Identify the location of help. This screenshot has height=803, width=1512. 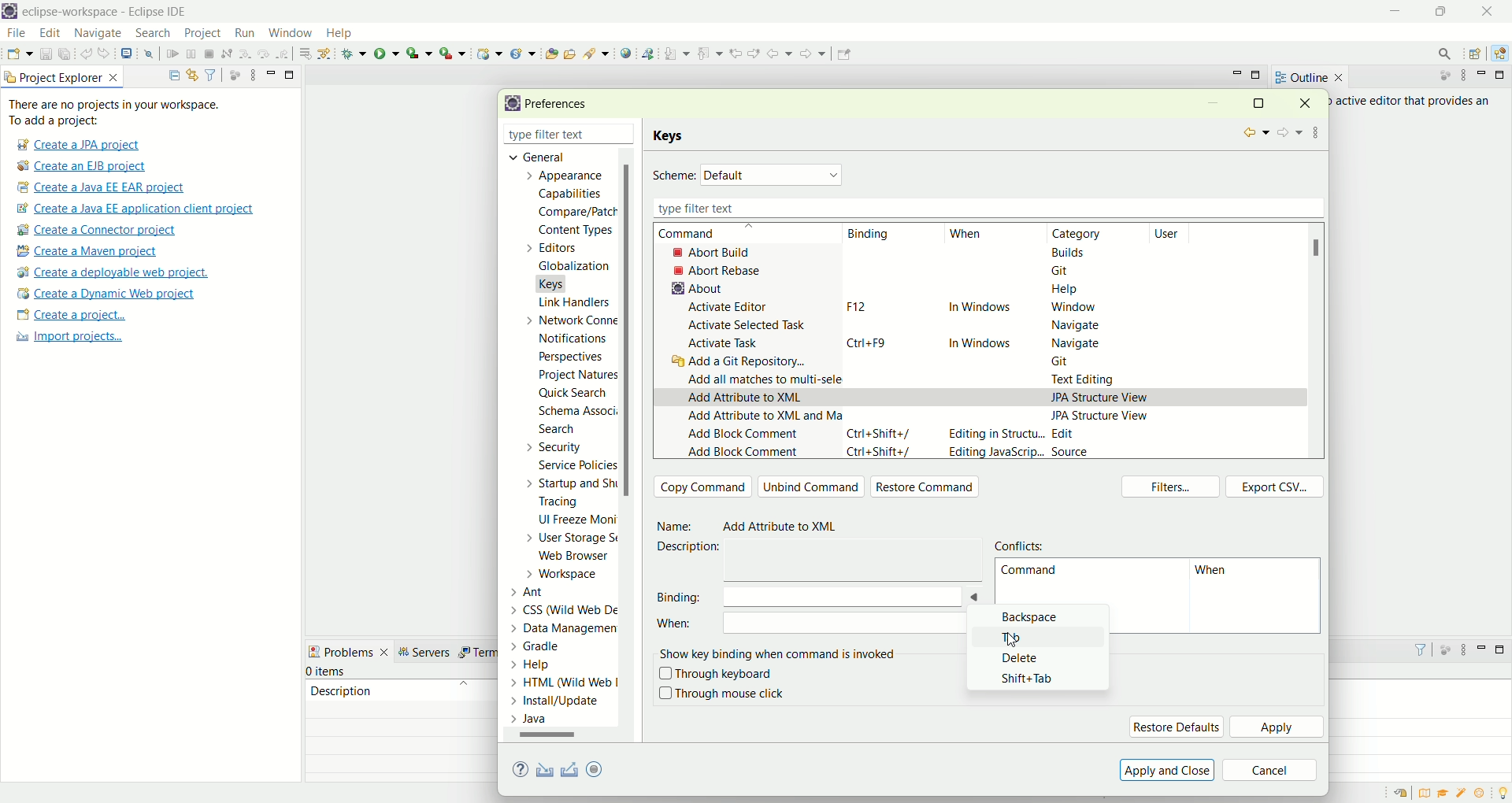
(346, 35).